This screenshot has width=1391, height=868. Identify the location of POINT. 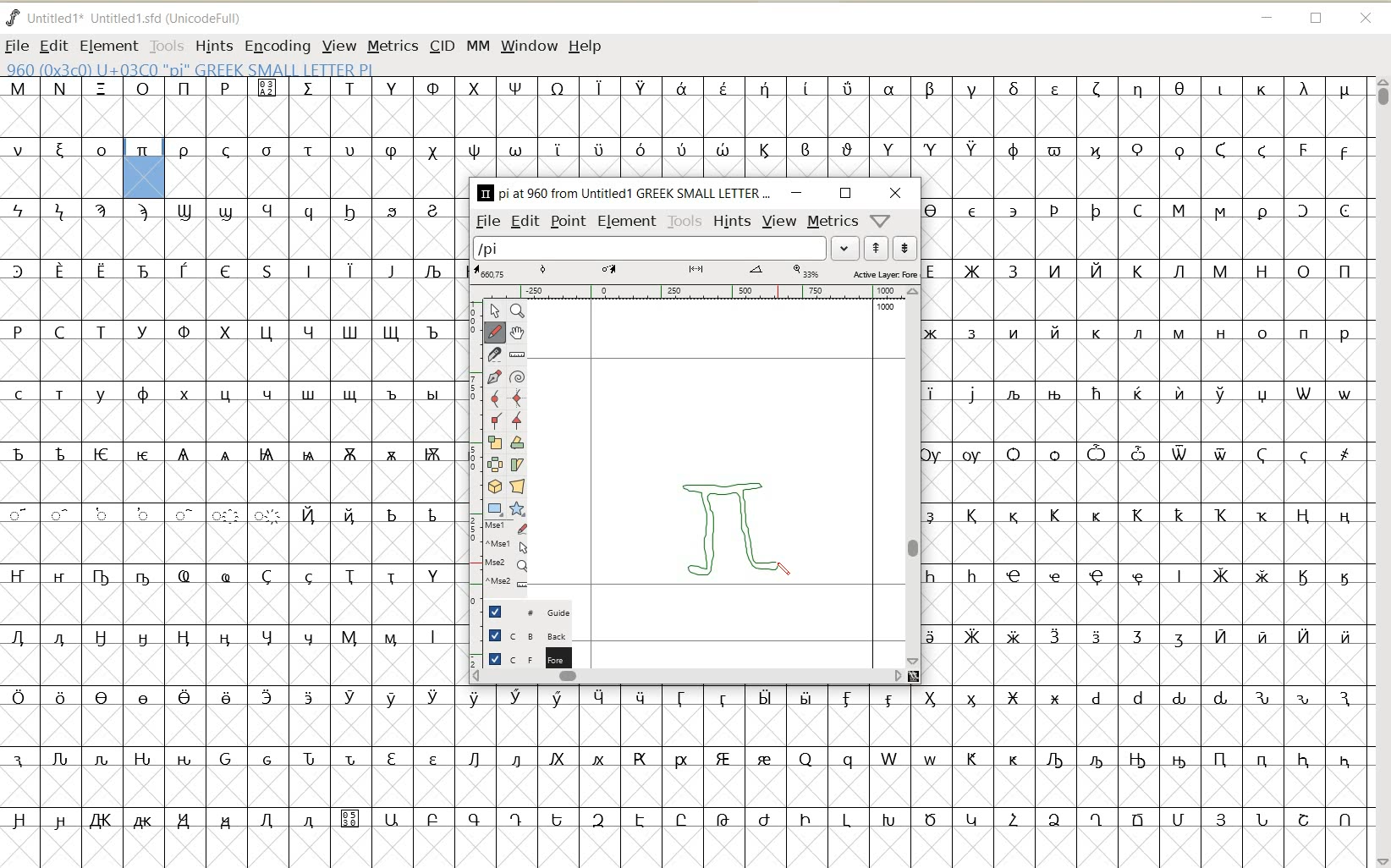
(568, 222).